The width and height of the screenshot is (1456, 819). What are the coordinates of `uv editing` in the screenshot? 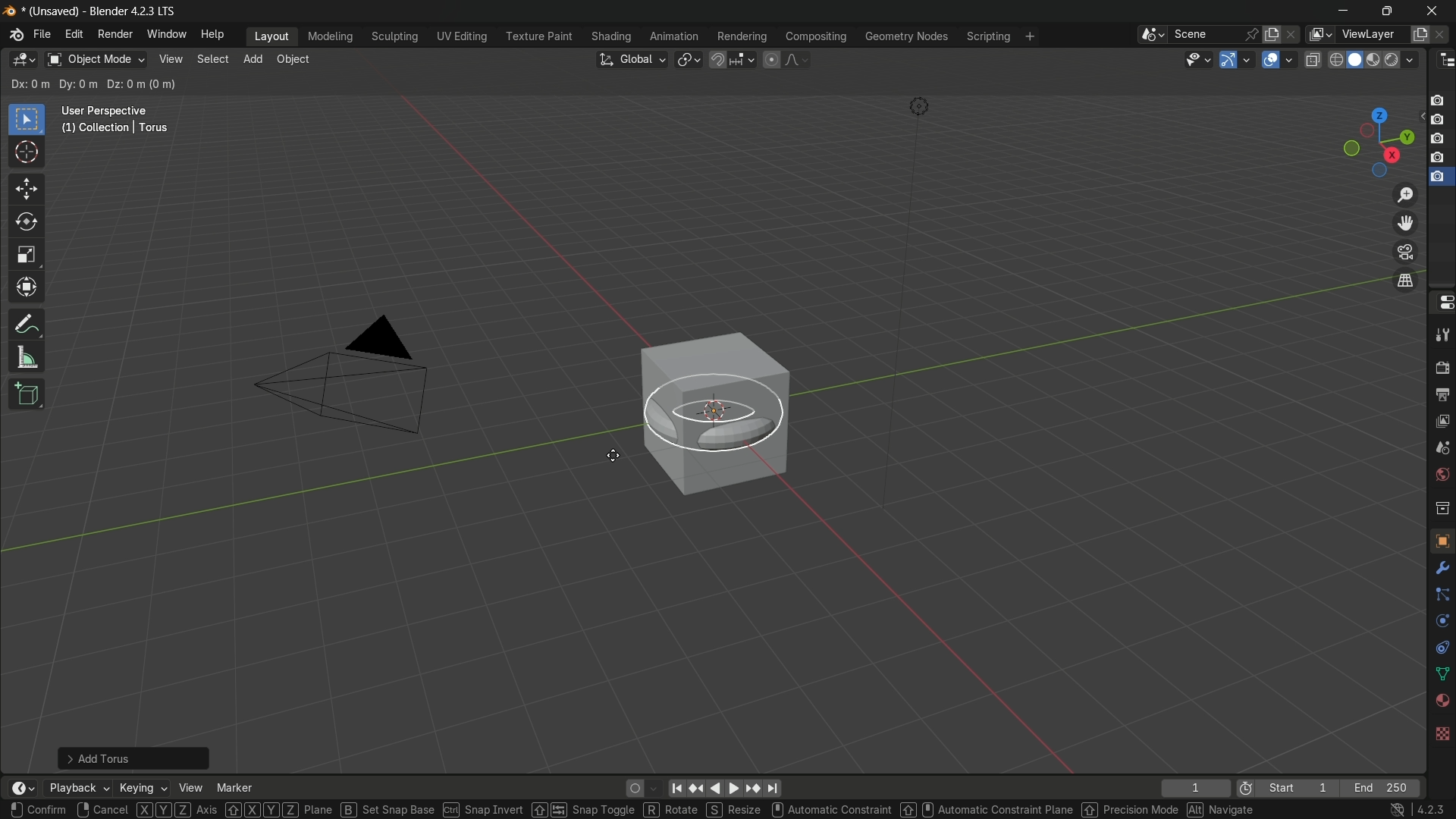 It's located at (461, 36).